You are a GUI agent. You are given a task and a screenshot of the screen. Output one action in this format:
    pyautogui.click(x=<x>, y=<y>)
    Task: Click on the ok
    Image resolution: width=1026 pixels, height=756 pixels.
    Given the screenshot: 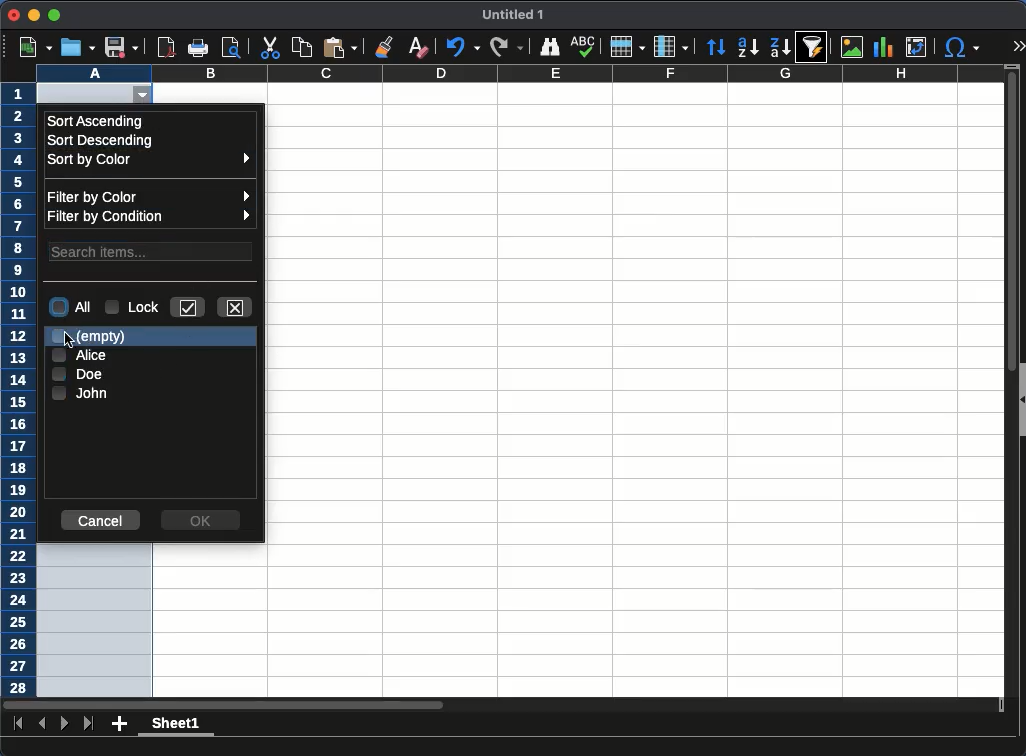 What is the action you would take?
    pyautogui.click(x=201, y=520)
    